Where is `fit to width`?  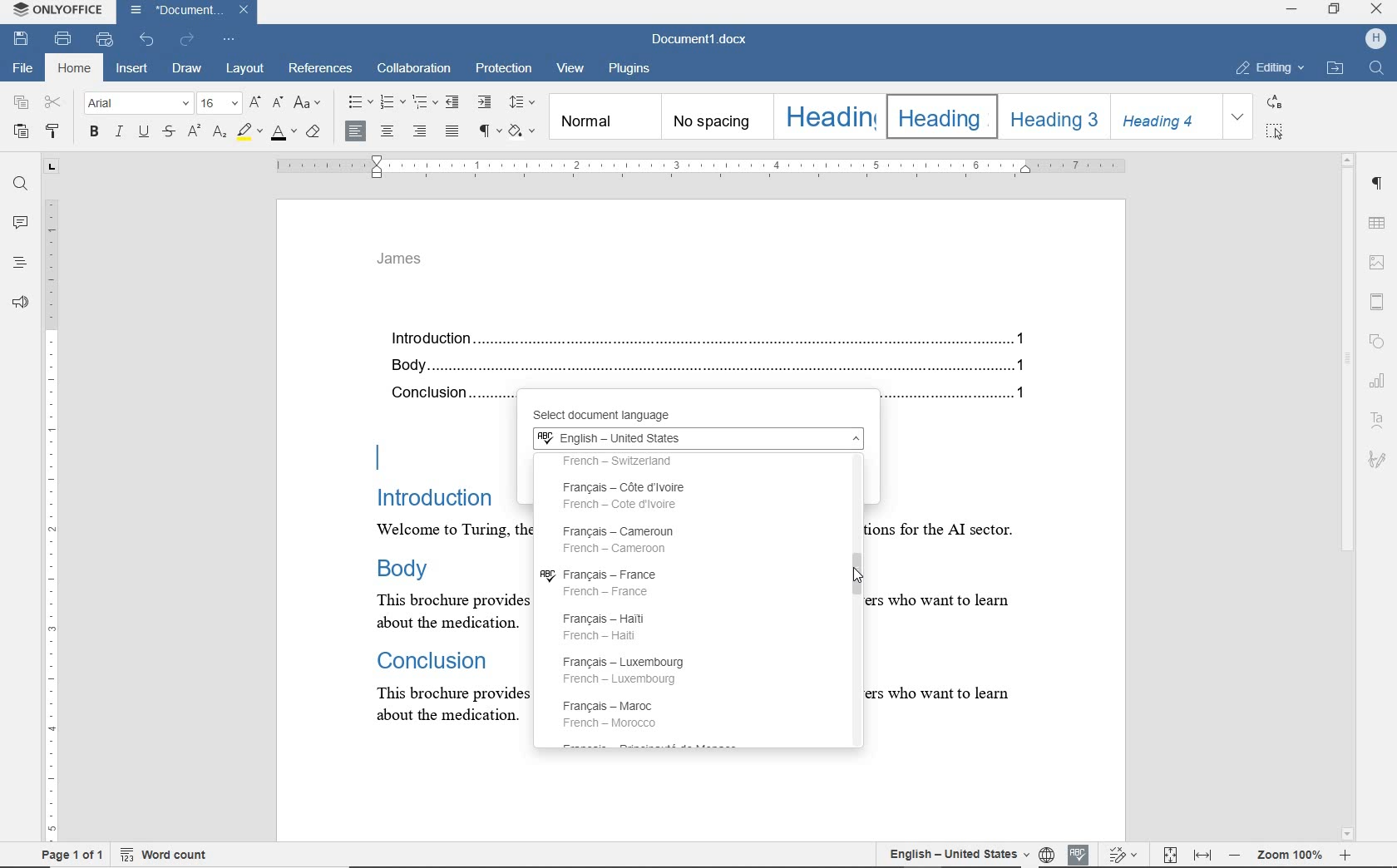 fit to width is located at coordinates (1204, 856).